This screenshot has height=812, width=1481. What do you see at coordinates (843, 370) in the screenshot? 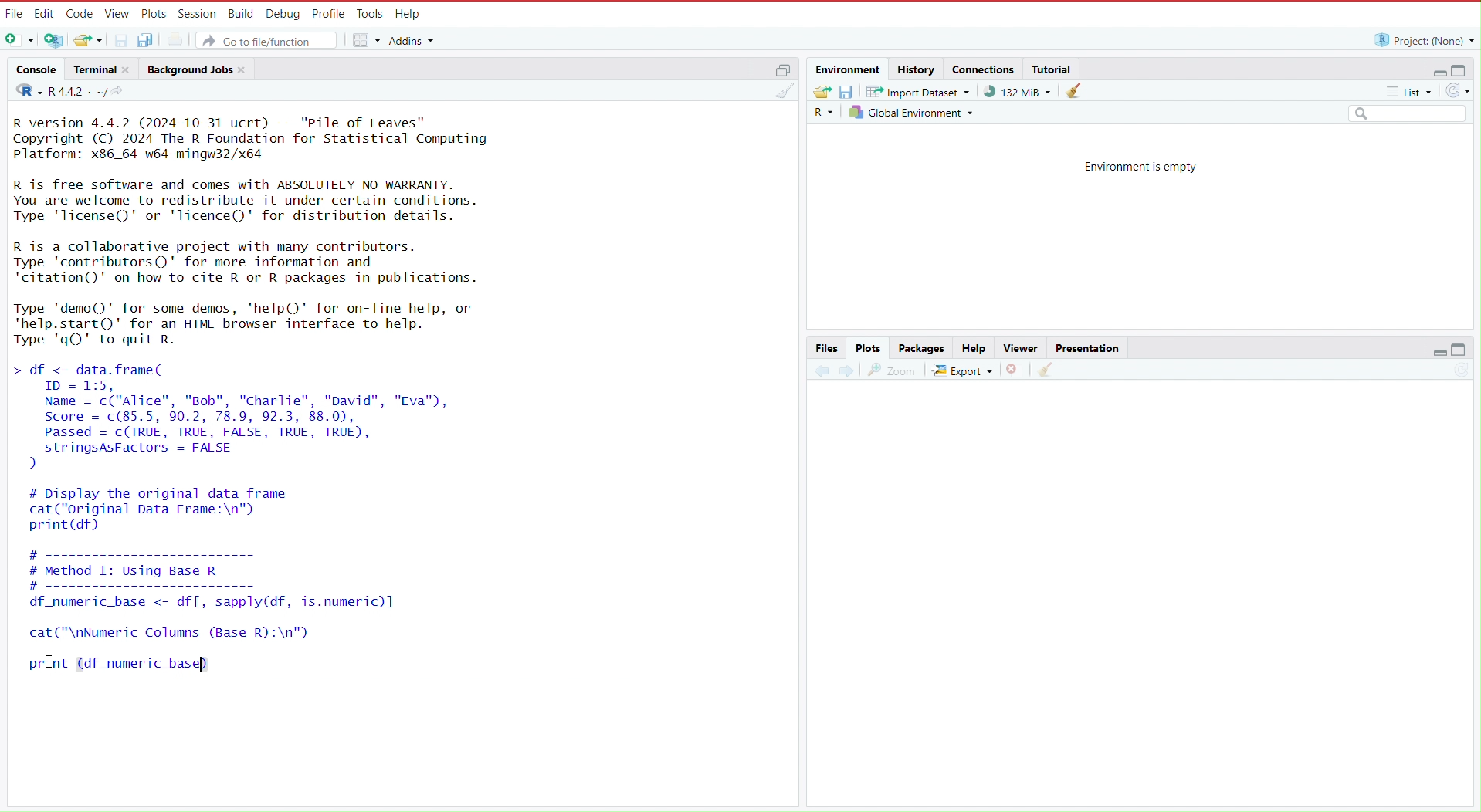
I see `next plot` at bounding box center [843, 370].